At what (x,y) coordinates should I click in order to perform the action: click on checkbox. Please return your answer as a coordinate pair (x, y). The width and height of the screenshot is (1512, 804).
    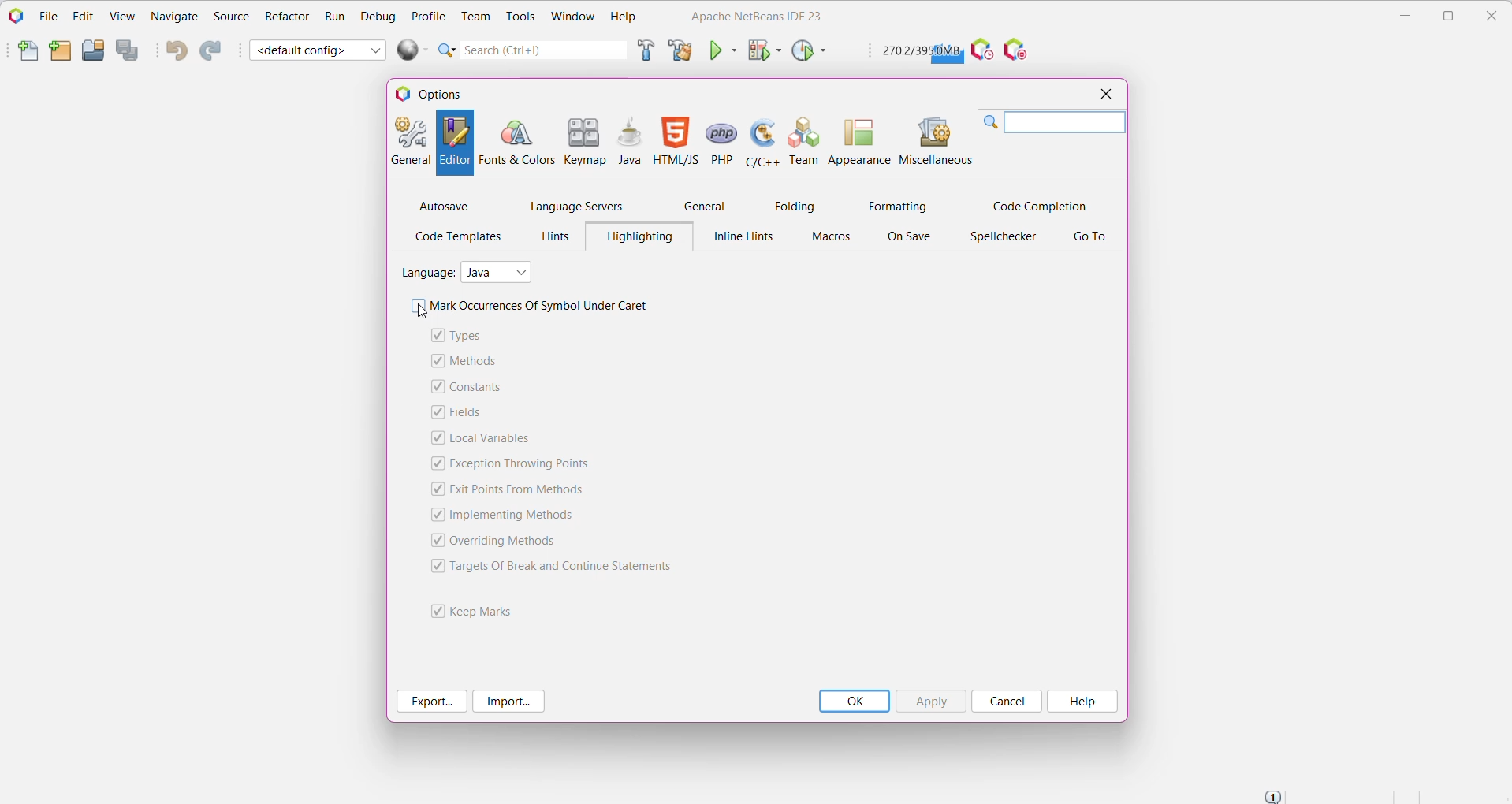
    Looking at the image, I should click on (435, 463).